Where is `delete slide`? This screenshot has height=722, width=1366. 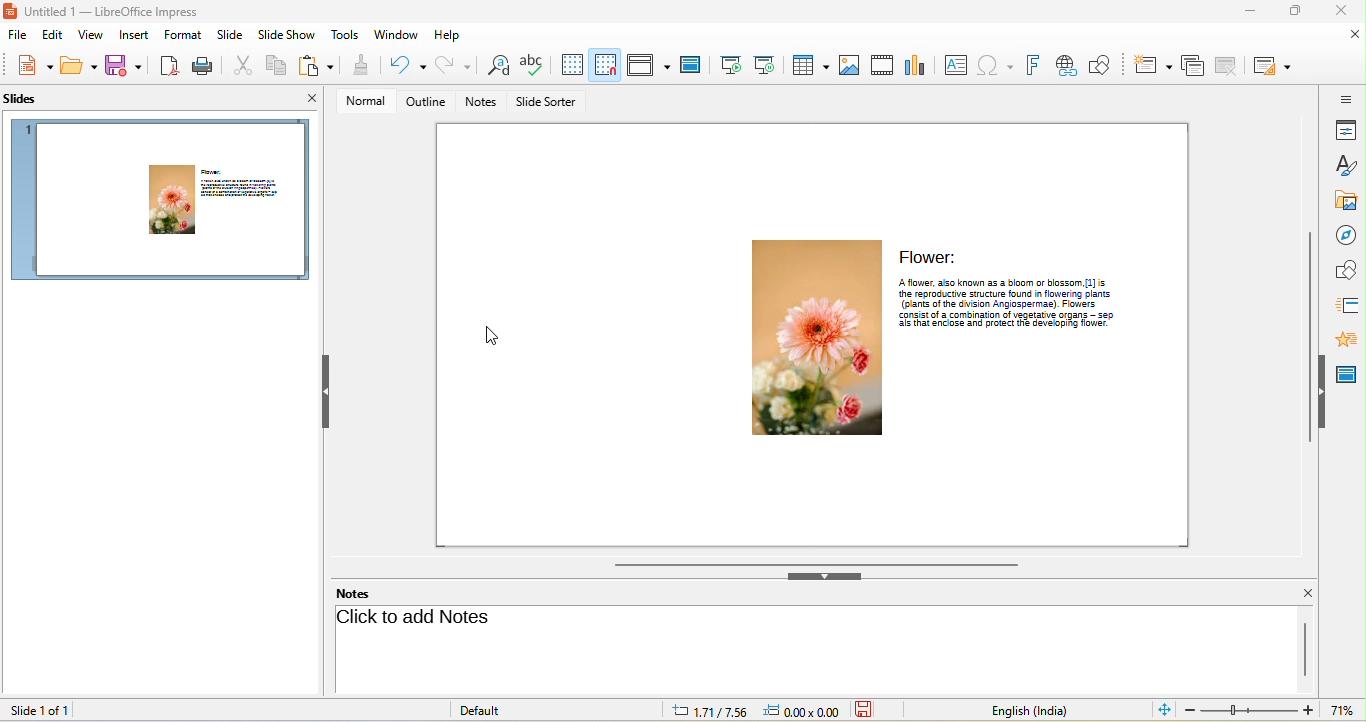 delete slide is located at coordinates (1229, 66).